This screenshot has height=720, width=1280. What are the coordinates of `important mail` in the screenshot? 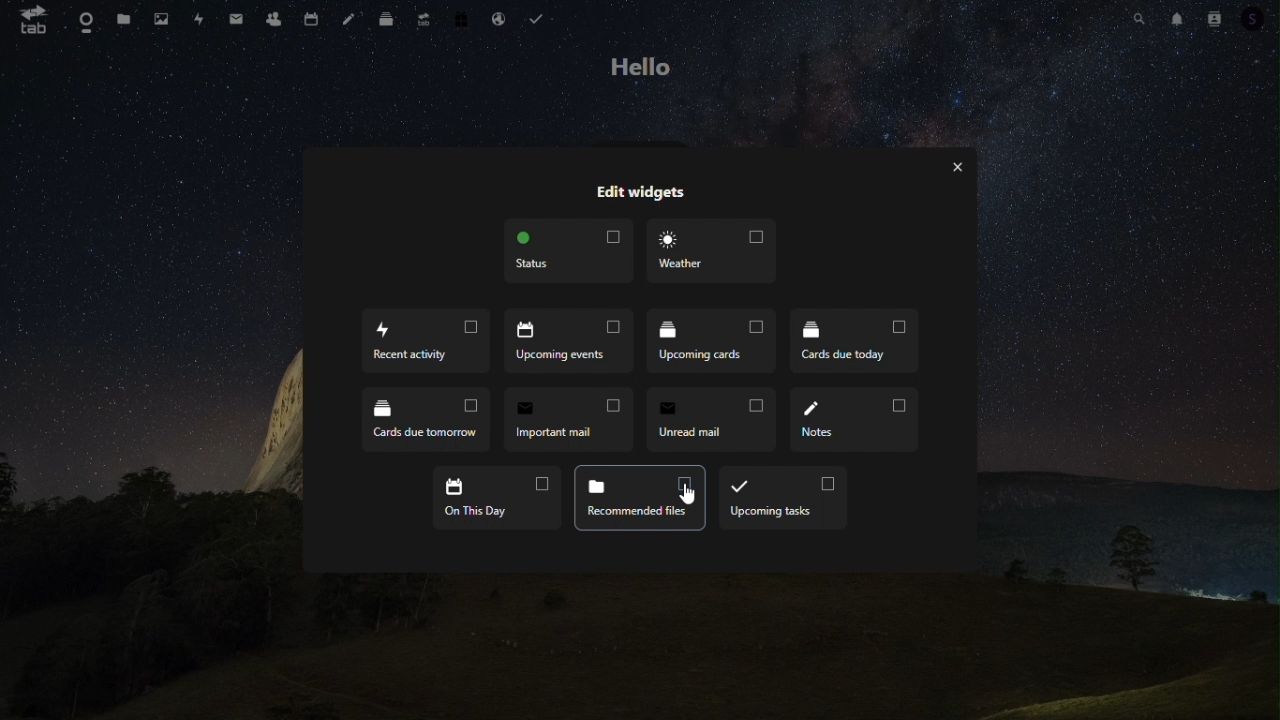 It's located at (568, 424).